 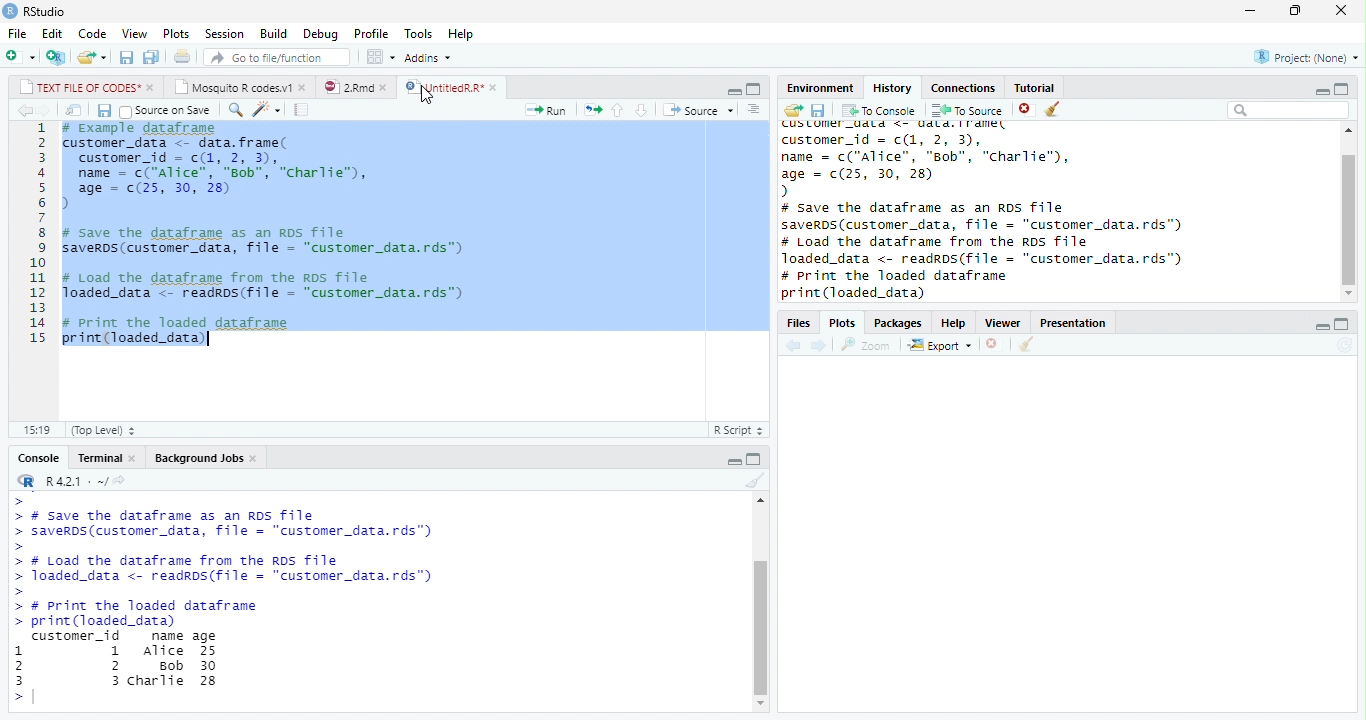 What do you see at coordinates (904, 285) in the screenshot?
I see `# print the loaded dataframe
print (loaded data)` at bounding box center [904, 285].